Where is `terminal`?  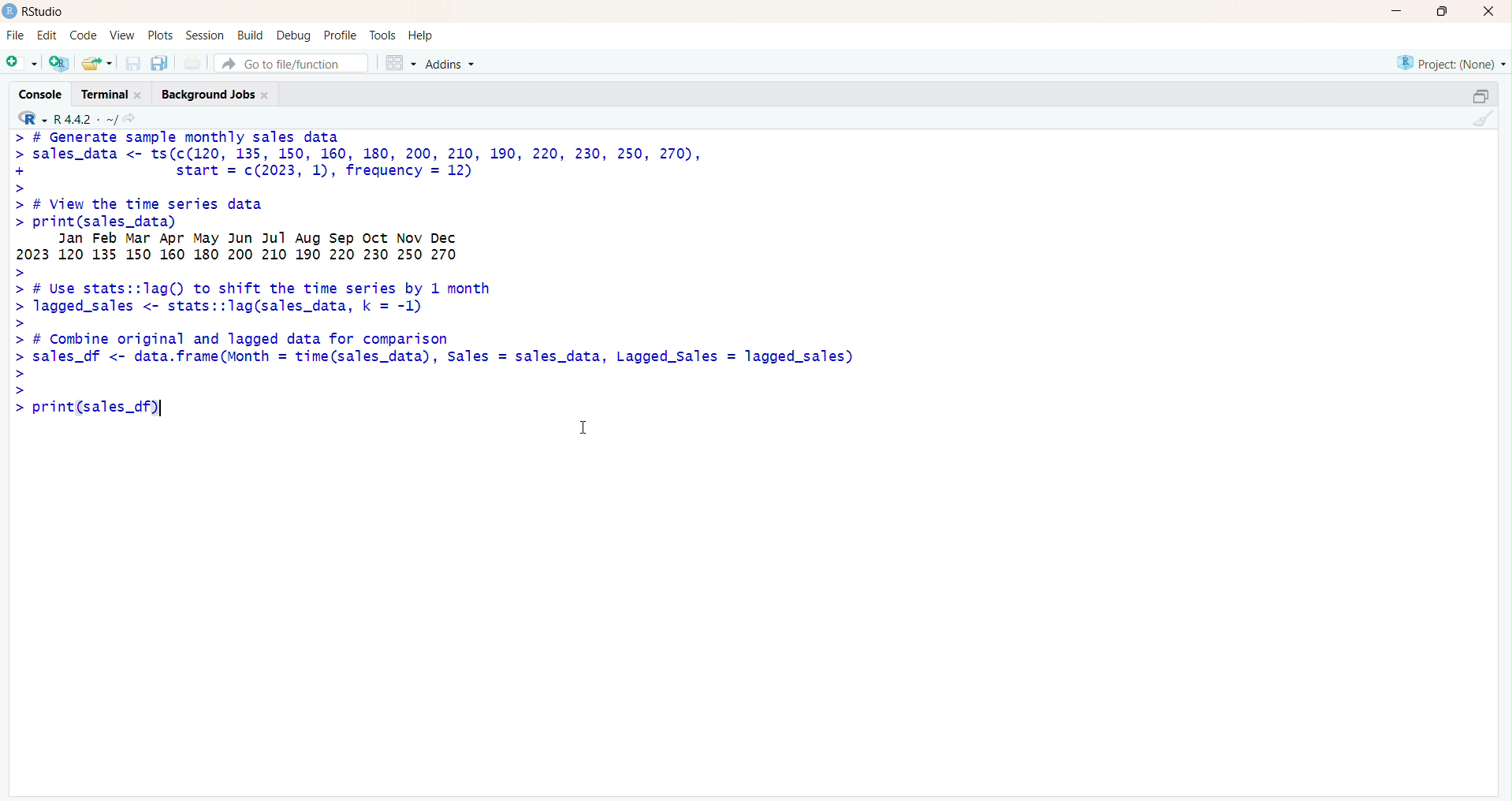
terminal is located at coordinates (110, 95).